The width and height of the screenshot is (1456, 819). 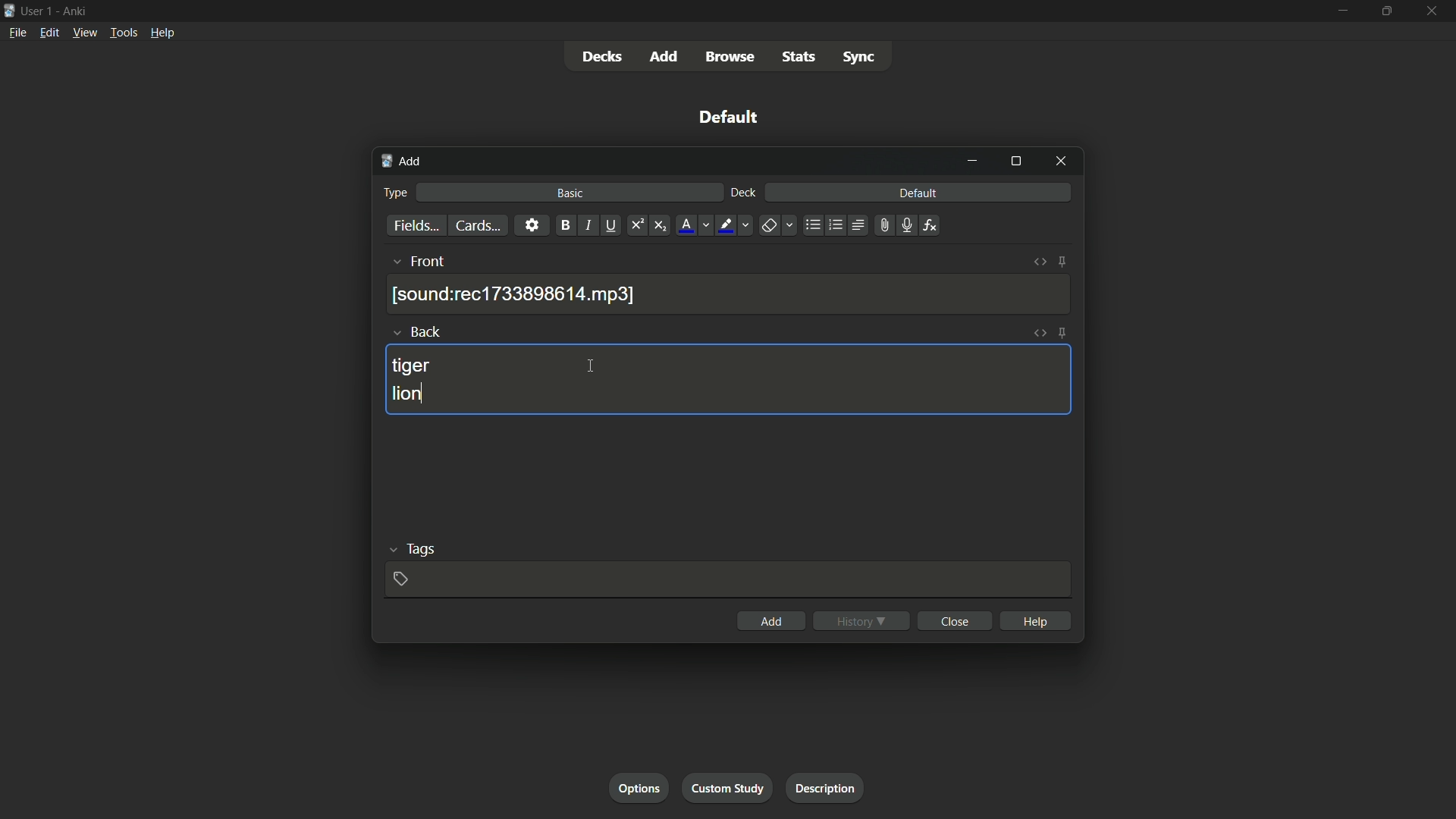 What do you see at coordinates (642, 789) in the screenshot?
I see `options` at bounding box center [642, 789].